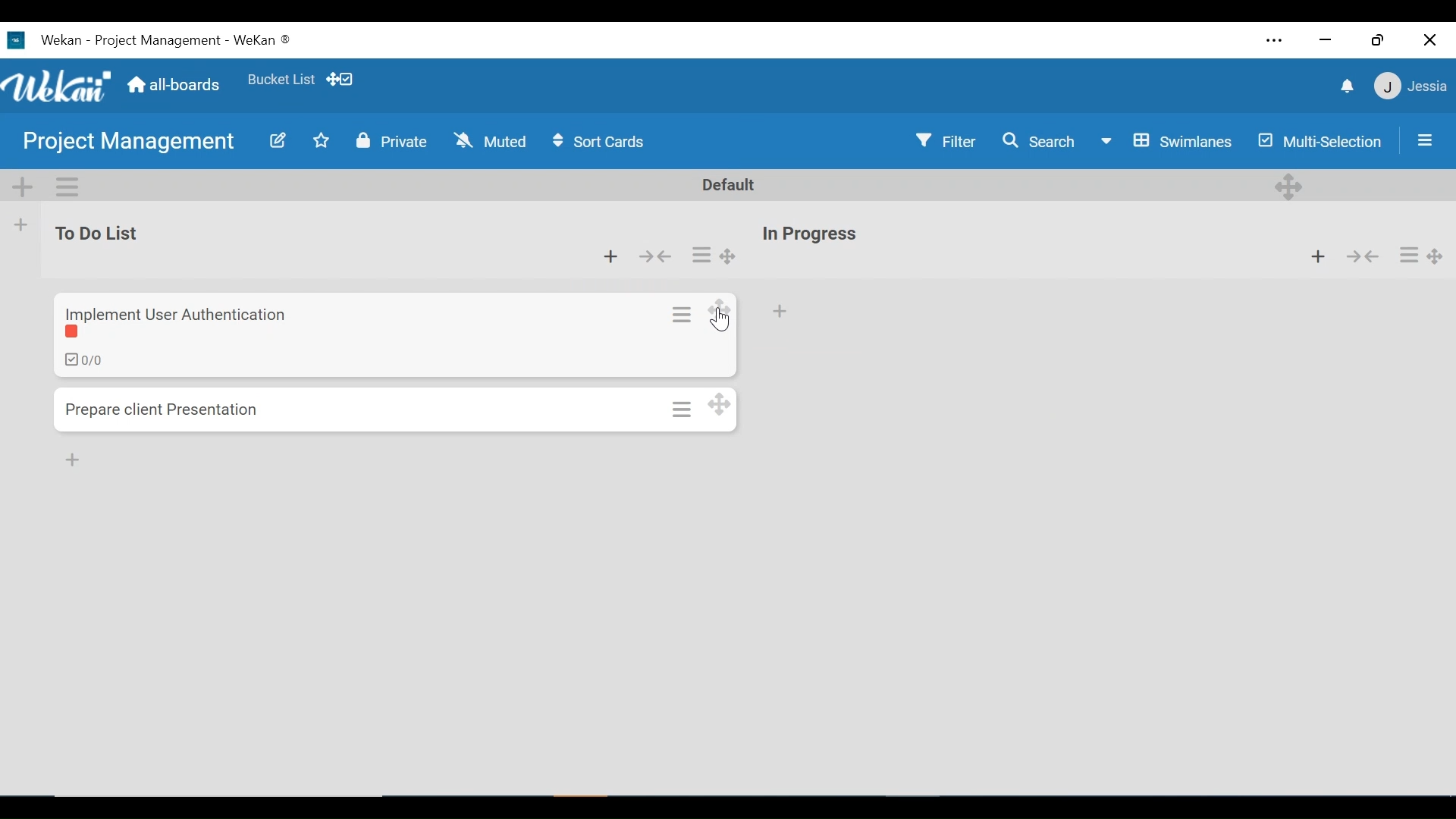 The image size is (1456, 819). Describe the element at coordinates (60, 88) in the screenshot. I see `Wekan logo` at that location.